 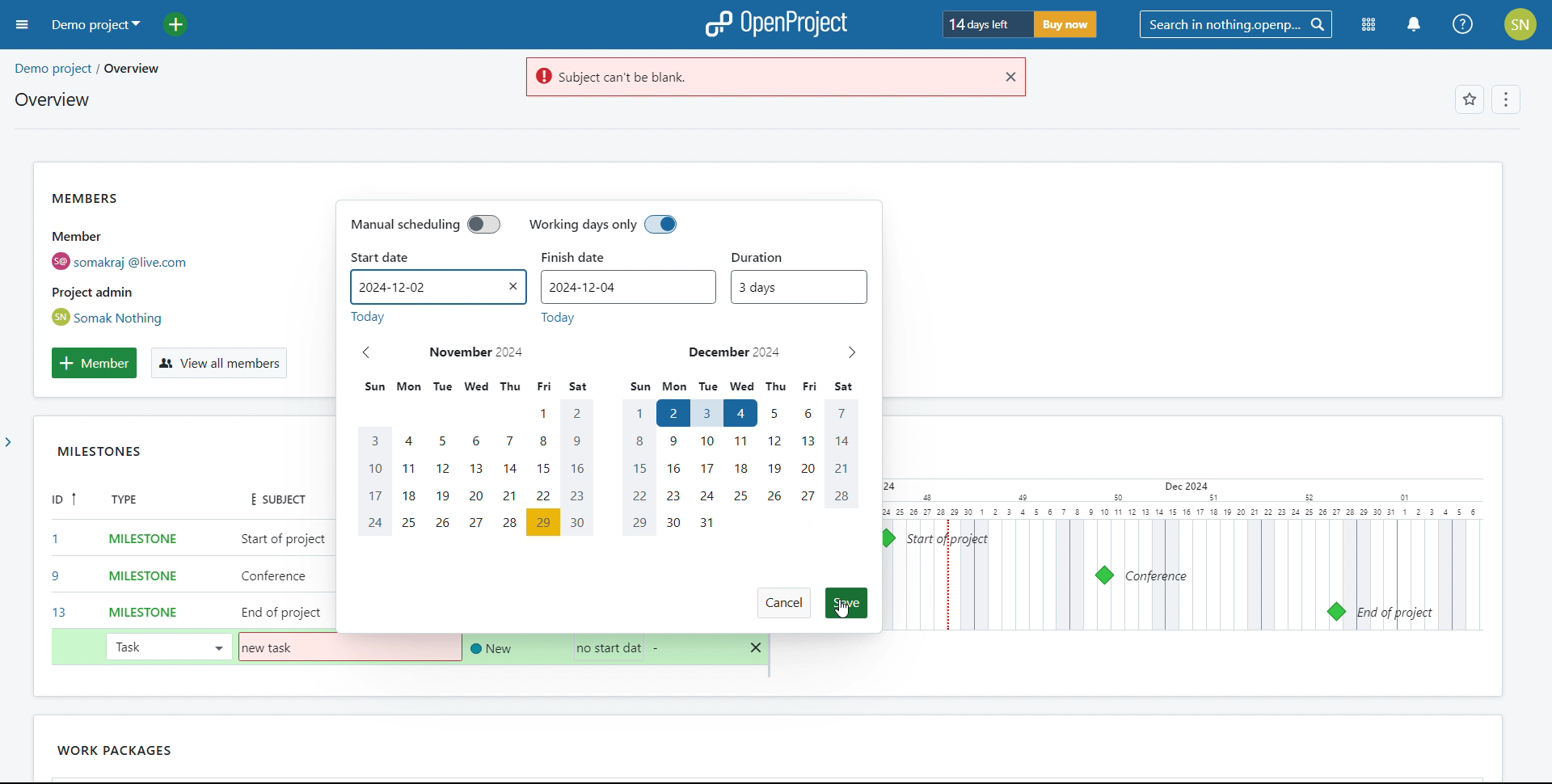 I want to click on duration, so click(x=764, y=253).